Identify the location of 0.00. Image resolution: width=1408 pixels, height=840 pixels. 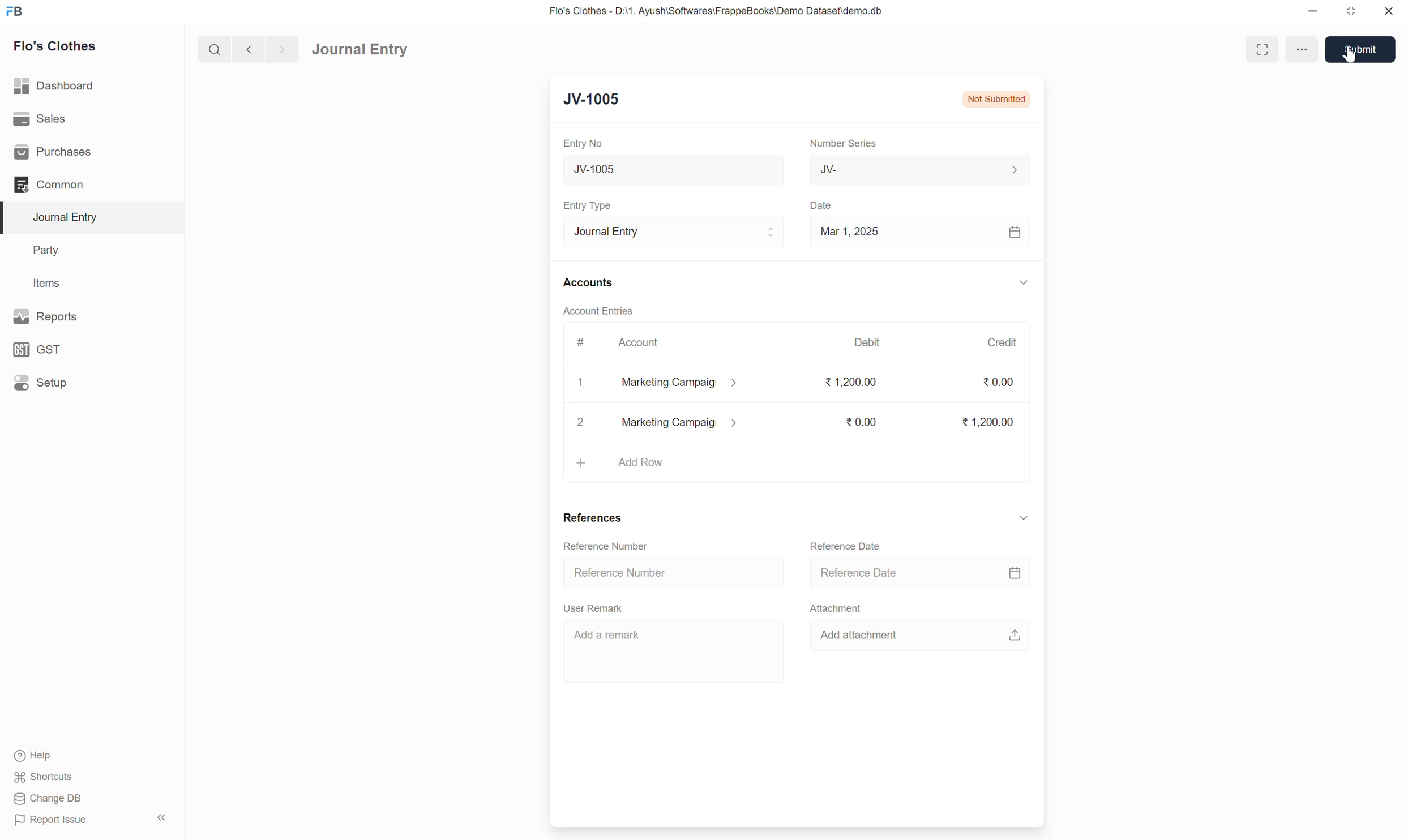
(999, 382).